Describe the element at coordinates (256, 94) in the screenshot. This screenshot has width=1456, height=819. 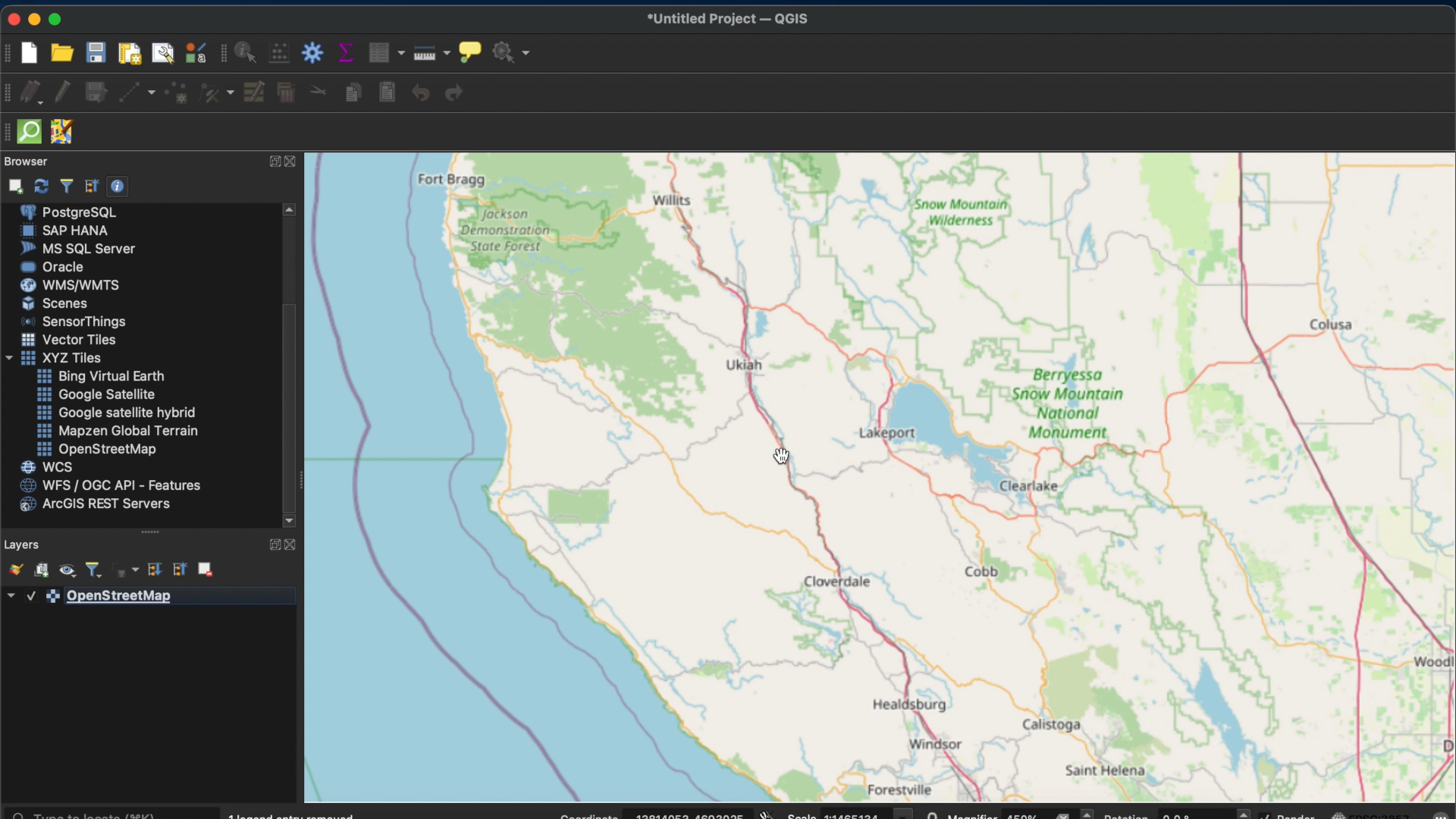
I see `modify attributes` at that location.